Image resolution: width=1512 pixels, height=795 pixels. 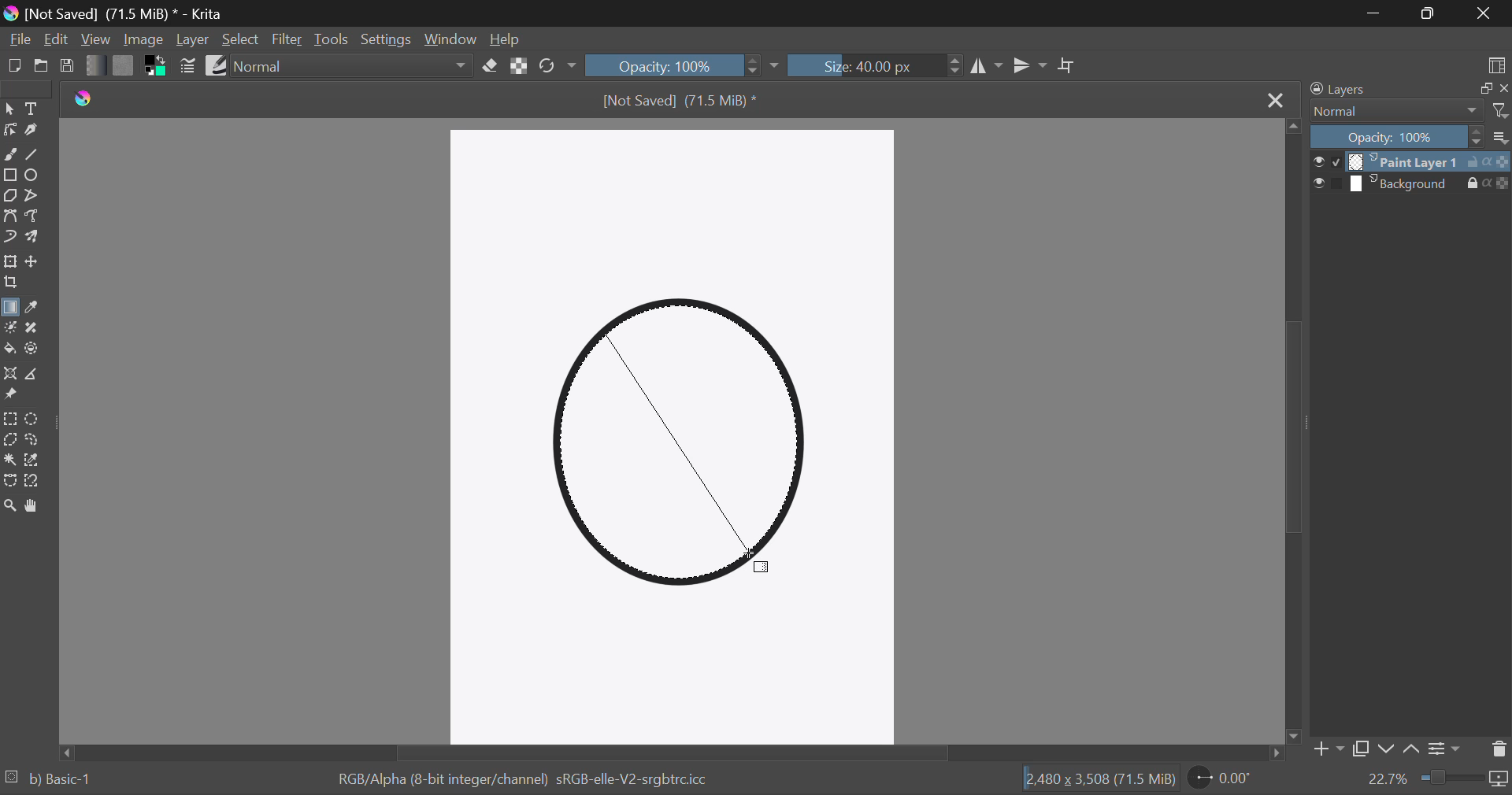 What do you see at coordinates (10, 396) in the screenshot?
I see `Reference Images` at bounding box center [10, 396].